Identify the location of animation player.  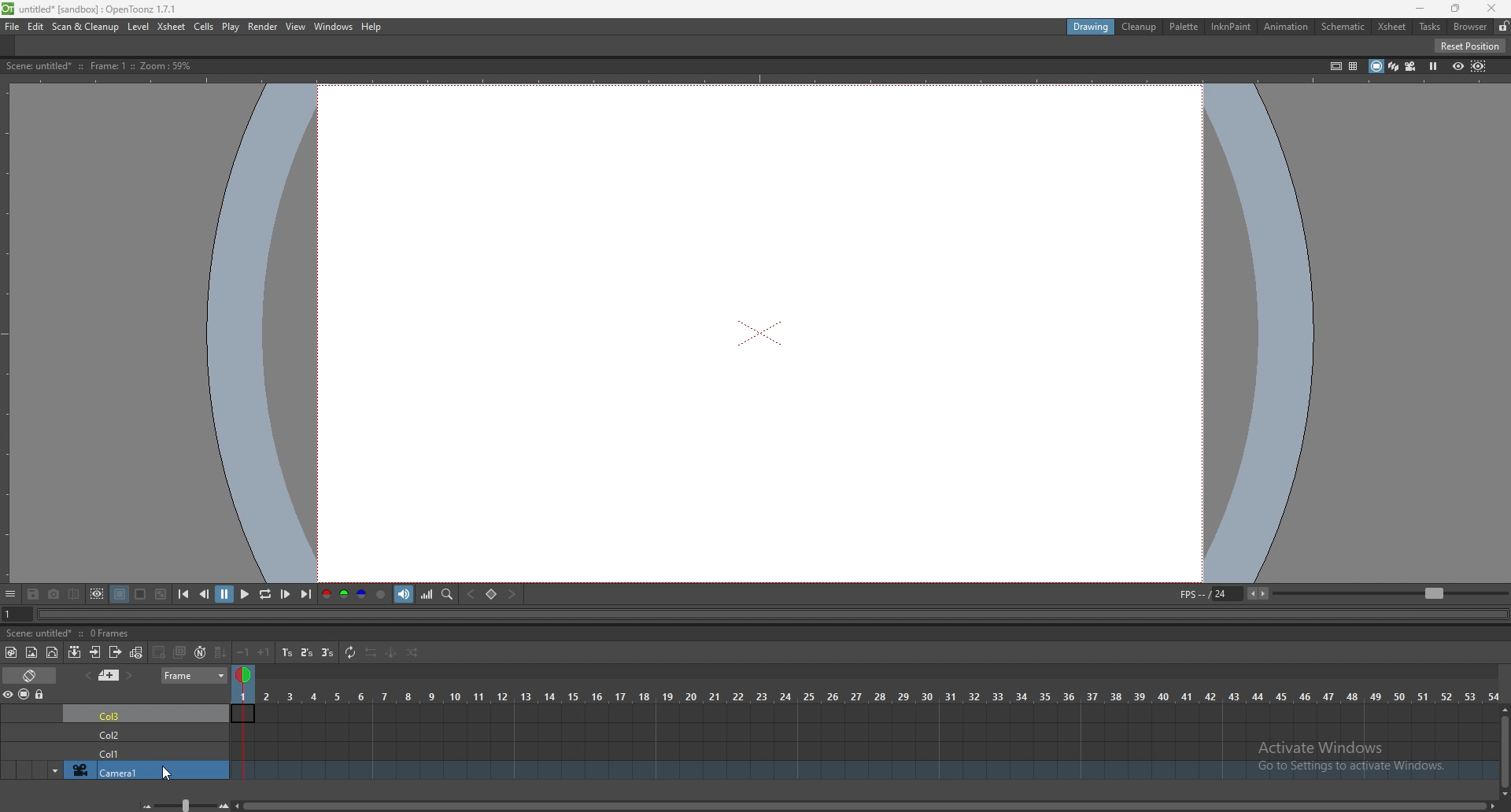
(761, 615).